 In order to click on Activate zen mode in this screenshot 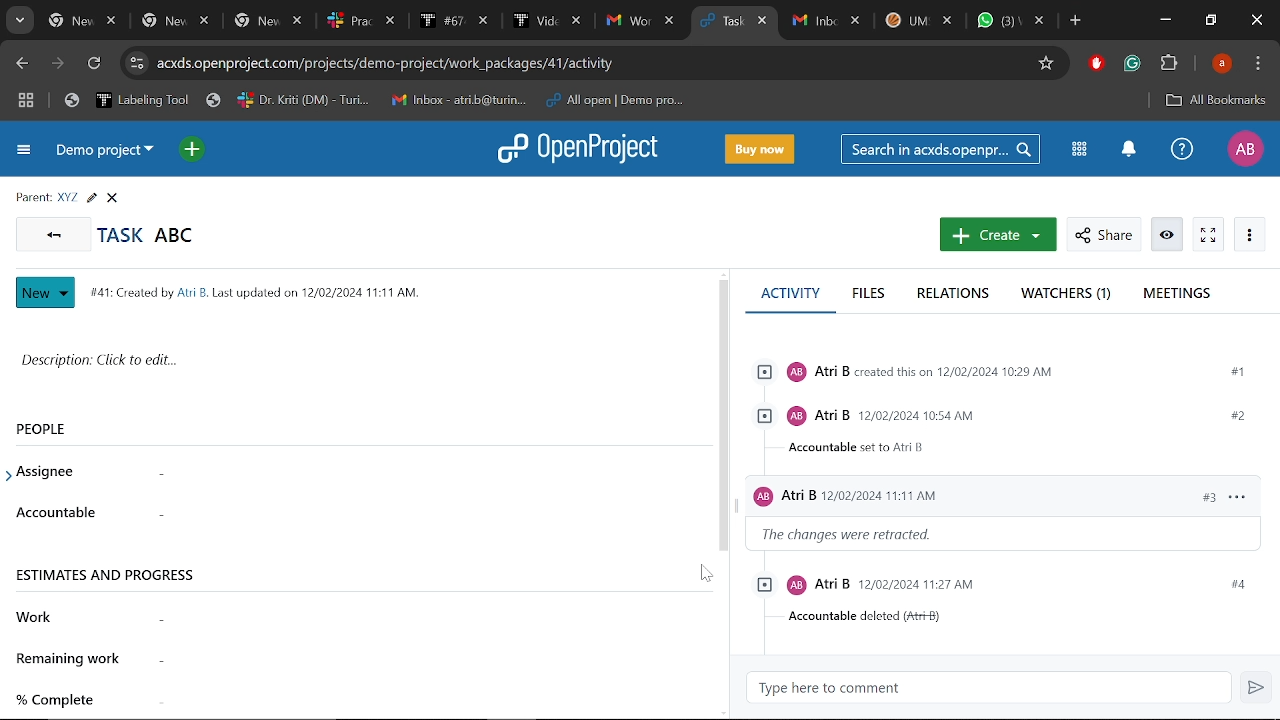, I will do `click(1209, 235)`.